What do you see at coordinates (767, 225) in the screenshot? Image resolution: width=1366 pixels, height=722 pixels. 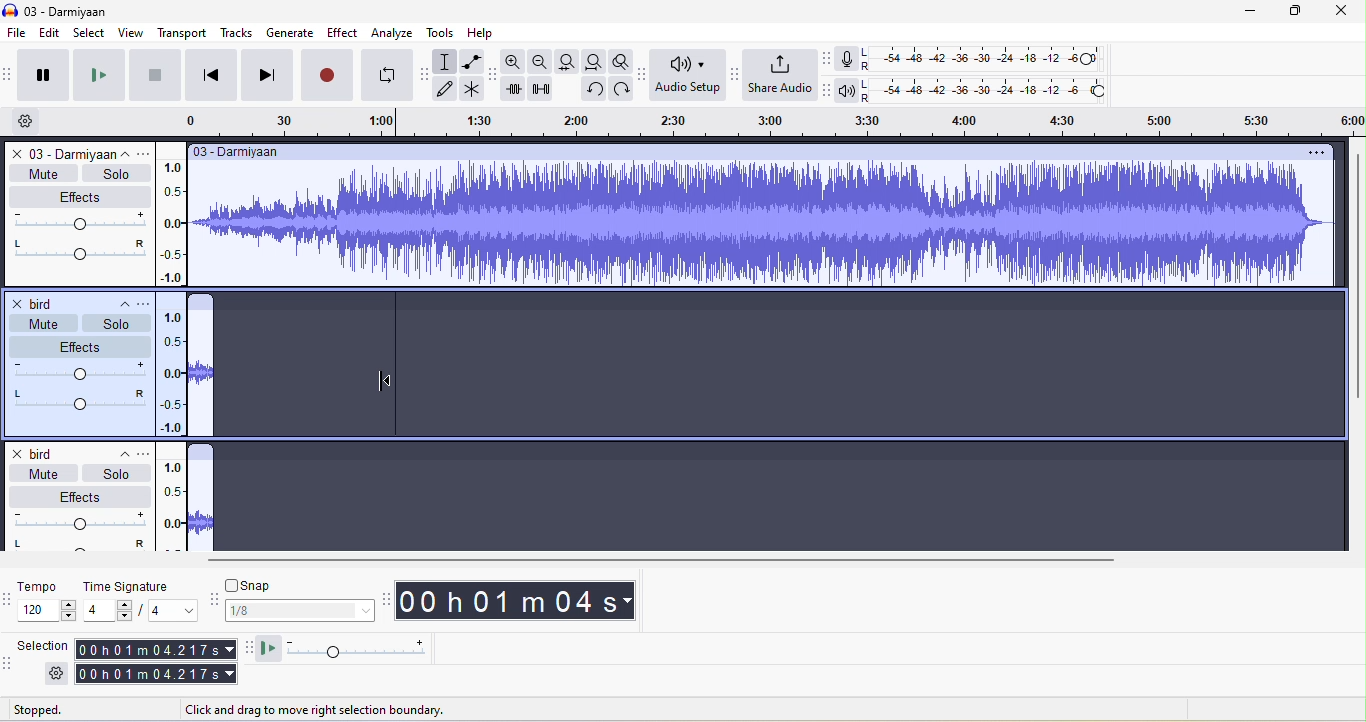 I see `record audio` at bounding box center [767, 225].